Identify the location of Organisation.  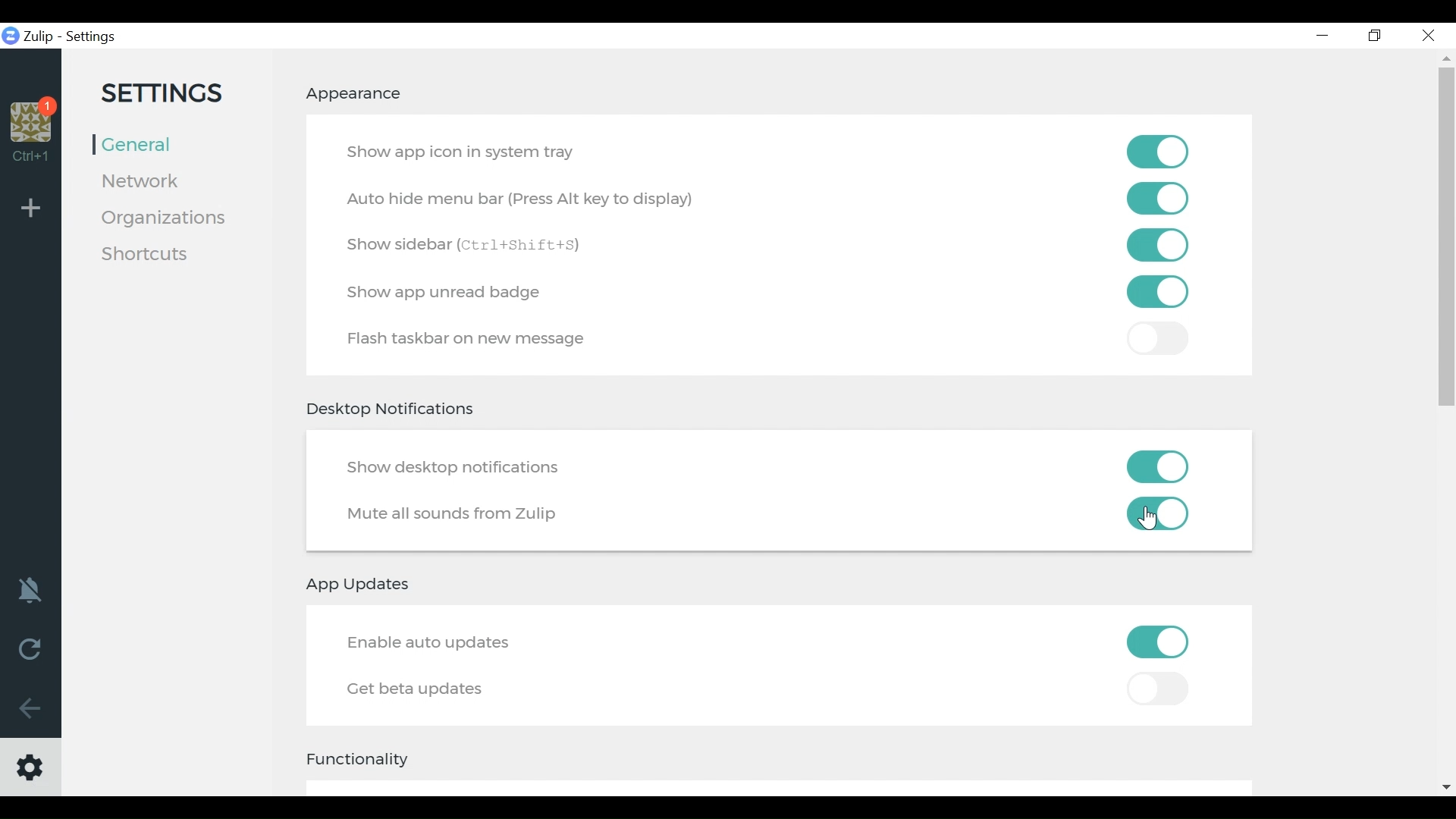
(31, 129).